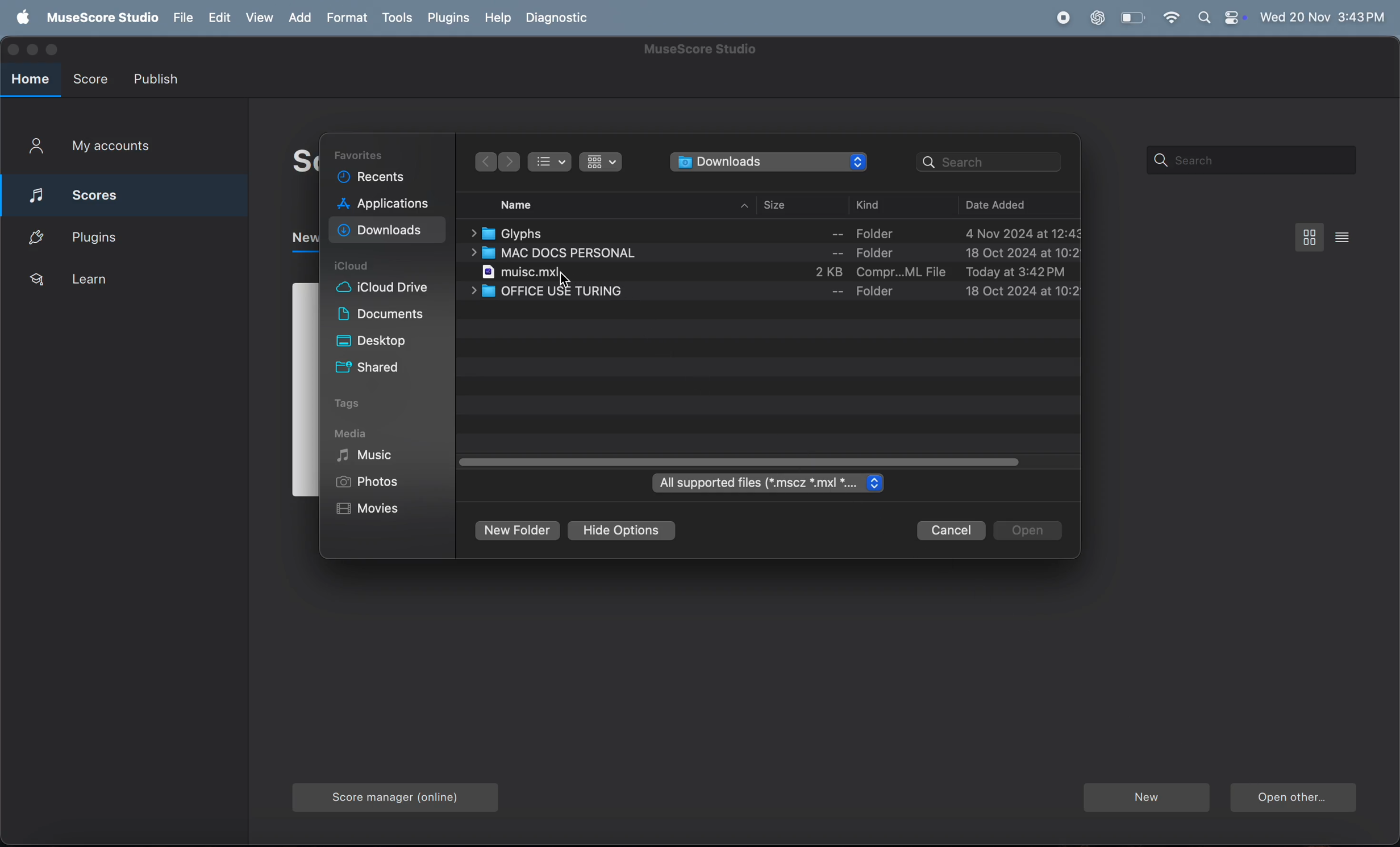  I want to click on time and date, so click(1322, 16).